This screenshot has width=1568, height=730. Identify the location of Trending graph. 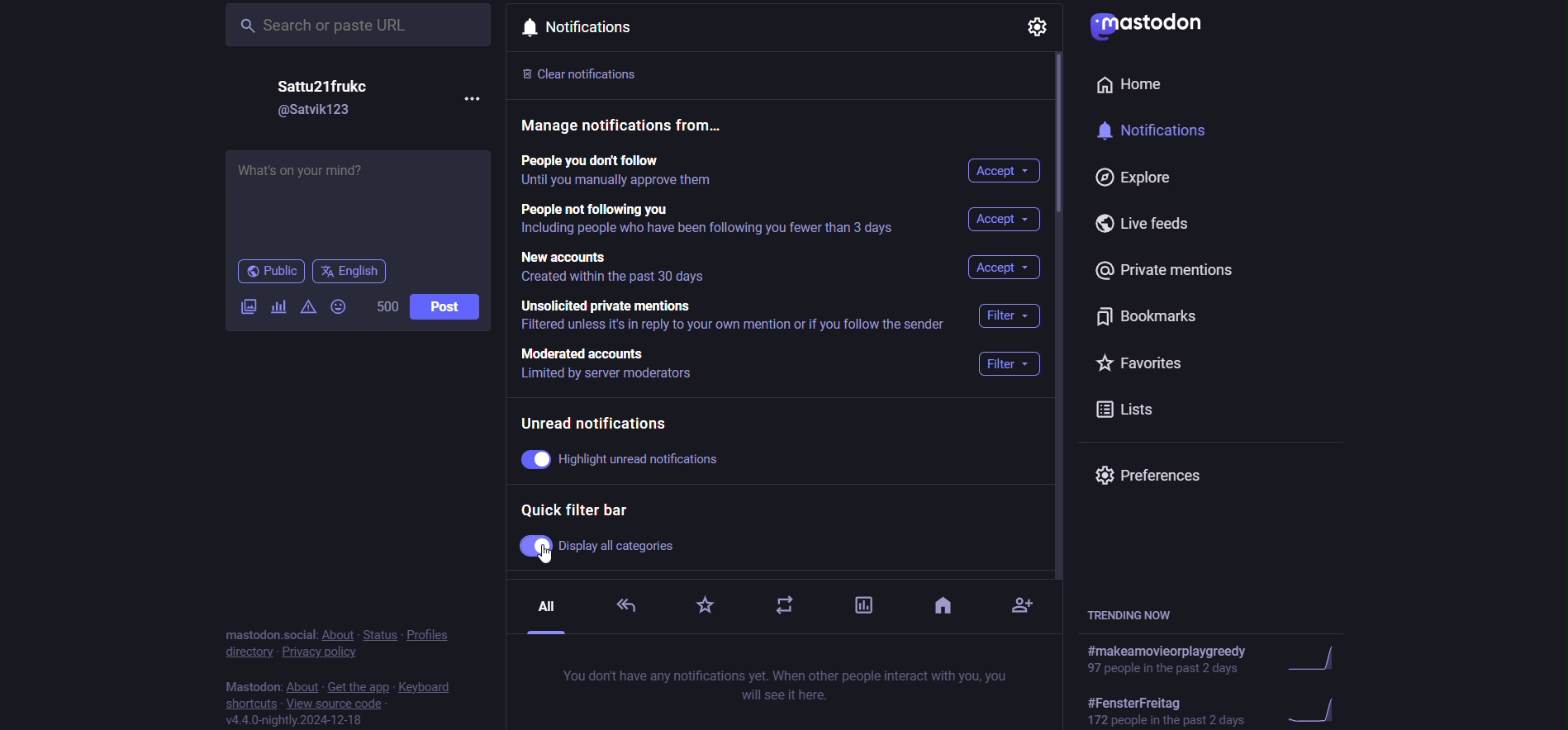
(1310, 707).